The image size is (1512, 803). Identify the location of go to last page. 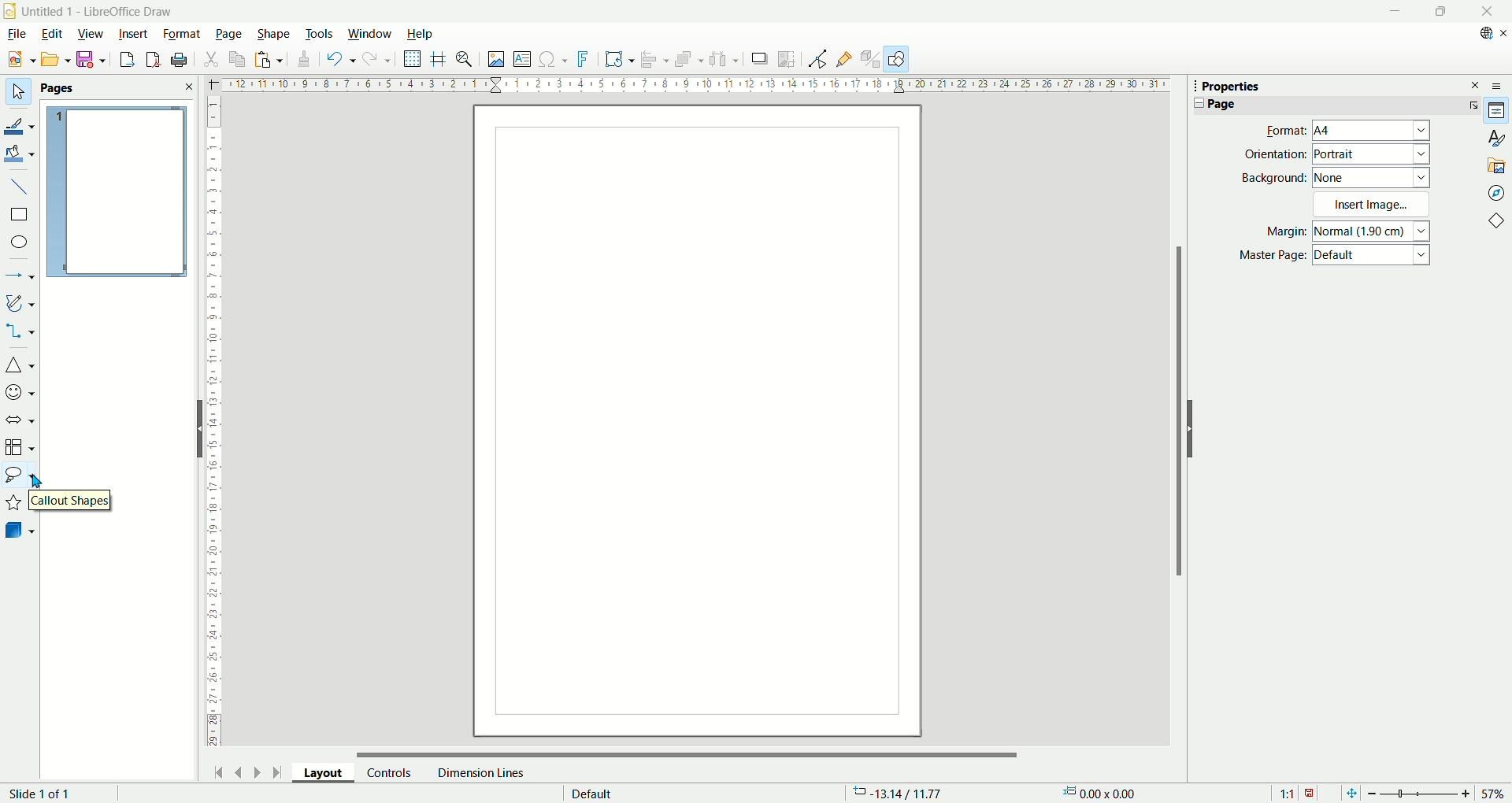
(278, 772).